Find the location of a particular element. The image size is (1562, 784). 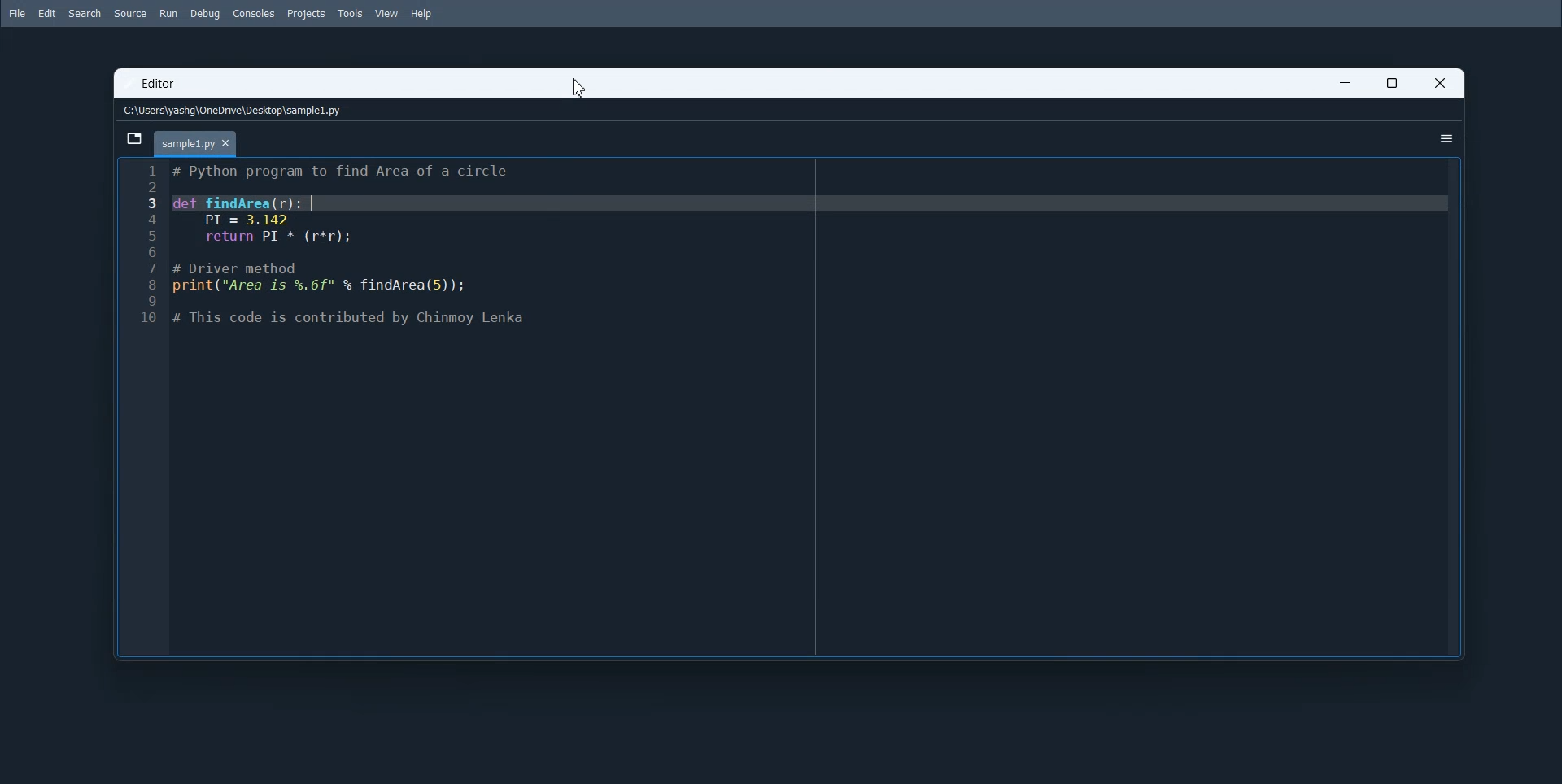

Run is located at coordinates (168, 13).